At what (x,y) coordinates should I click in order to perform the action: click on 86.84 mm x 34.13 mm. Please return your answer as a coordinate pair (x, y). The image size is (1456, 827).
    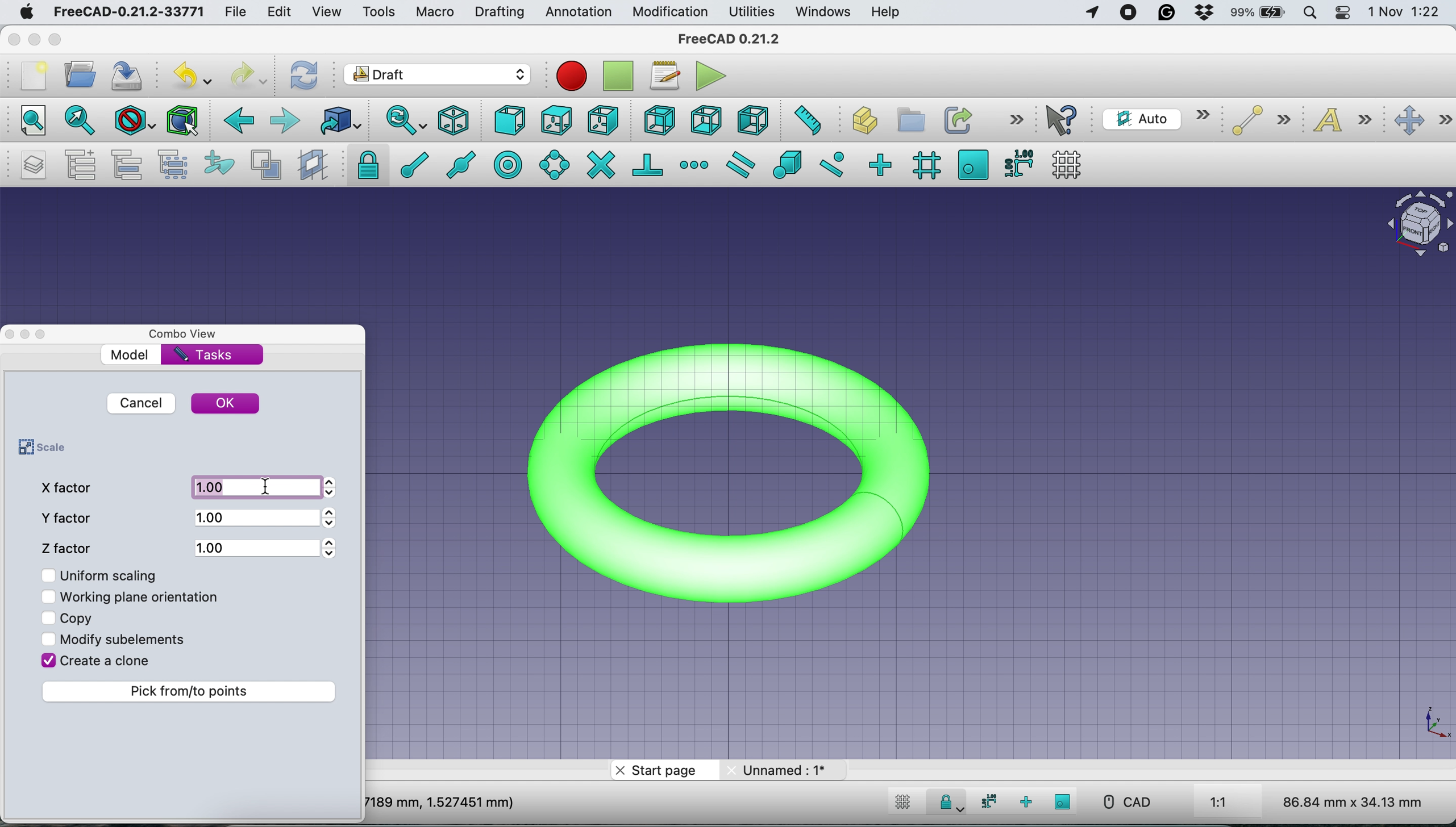
    Looking at the image, I should click on (1354, 801).